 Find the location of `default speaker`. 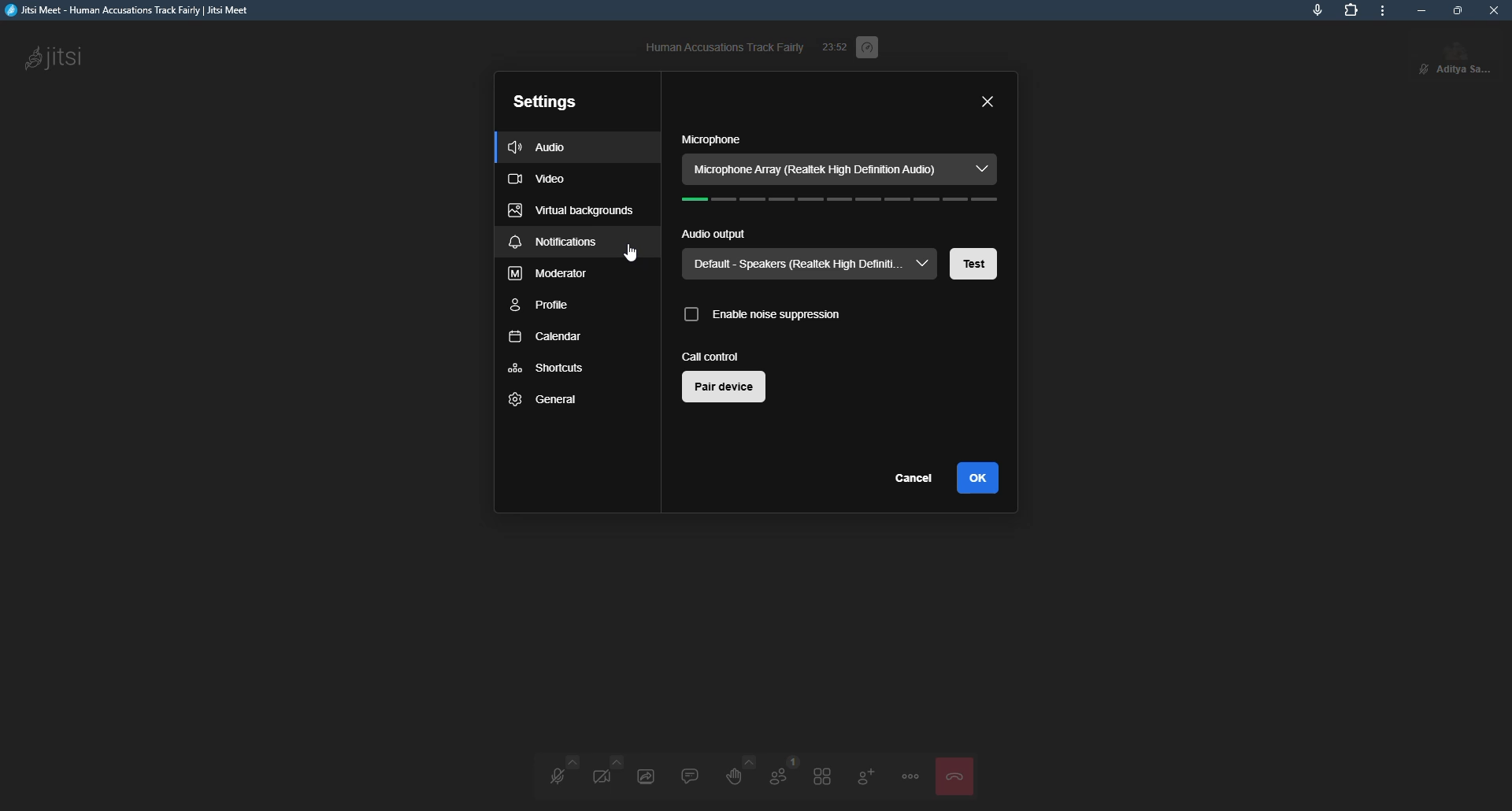

default speaker is located at coordinates (810, 265).